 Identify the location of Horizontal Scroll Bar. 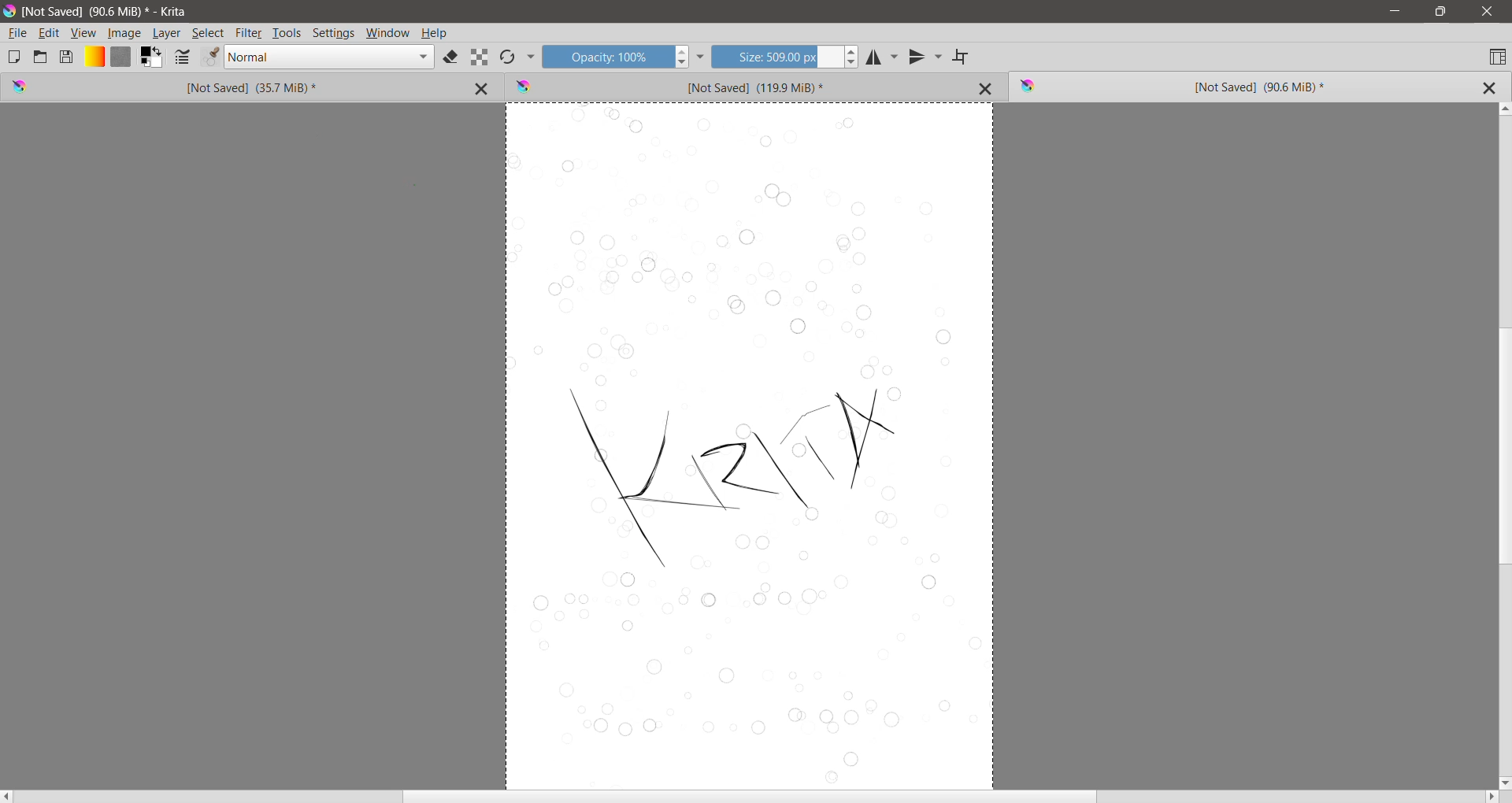
(750, 797).